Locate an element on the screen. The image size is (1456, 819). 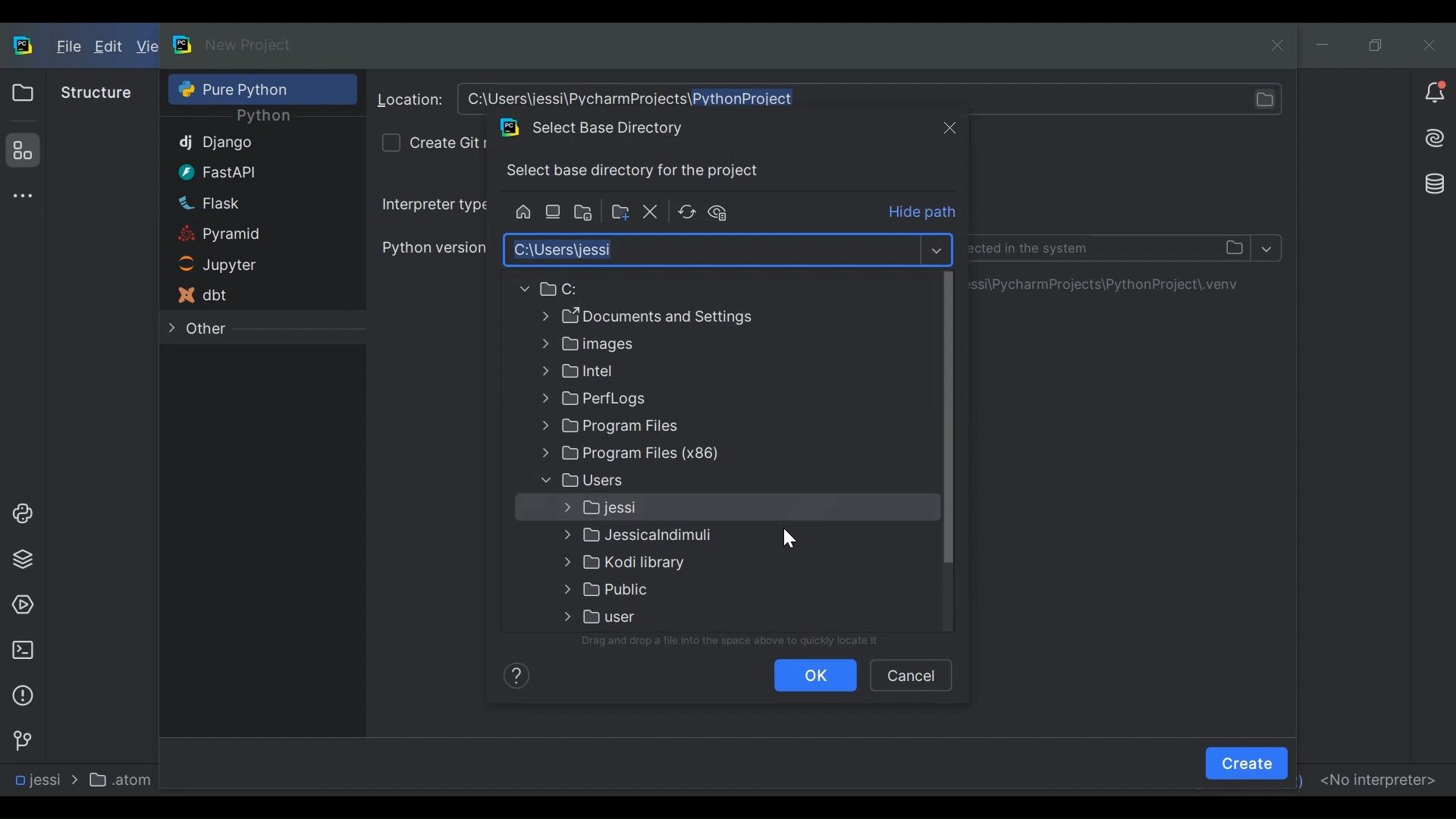
Cancel is located at coordinates (910, 674).